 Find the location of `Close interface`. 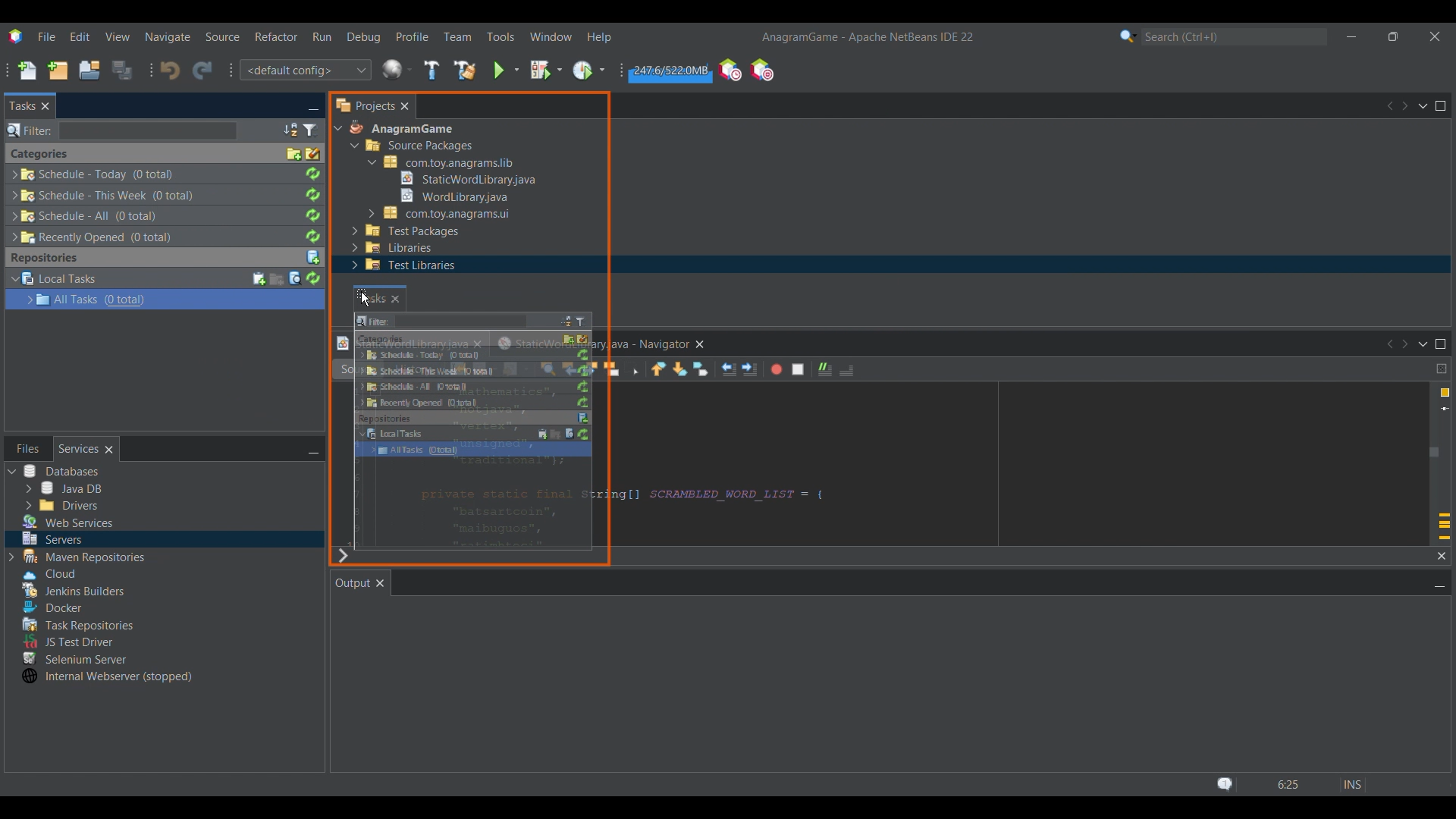

Close interface is located at coordinates (1435, 36).